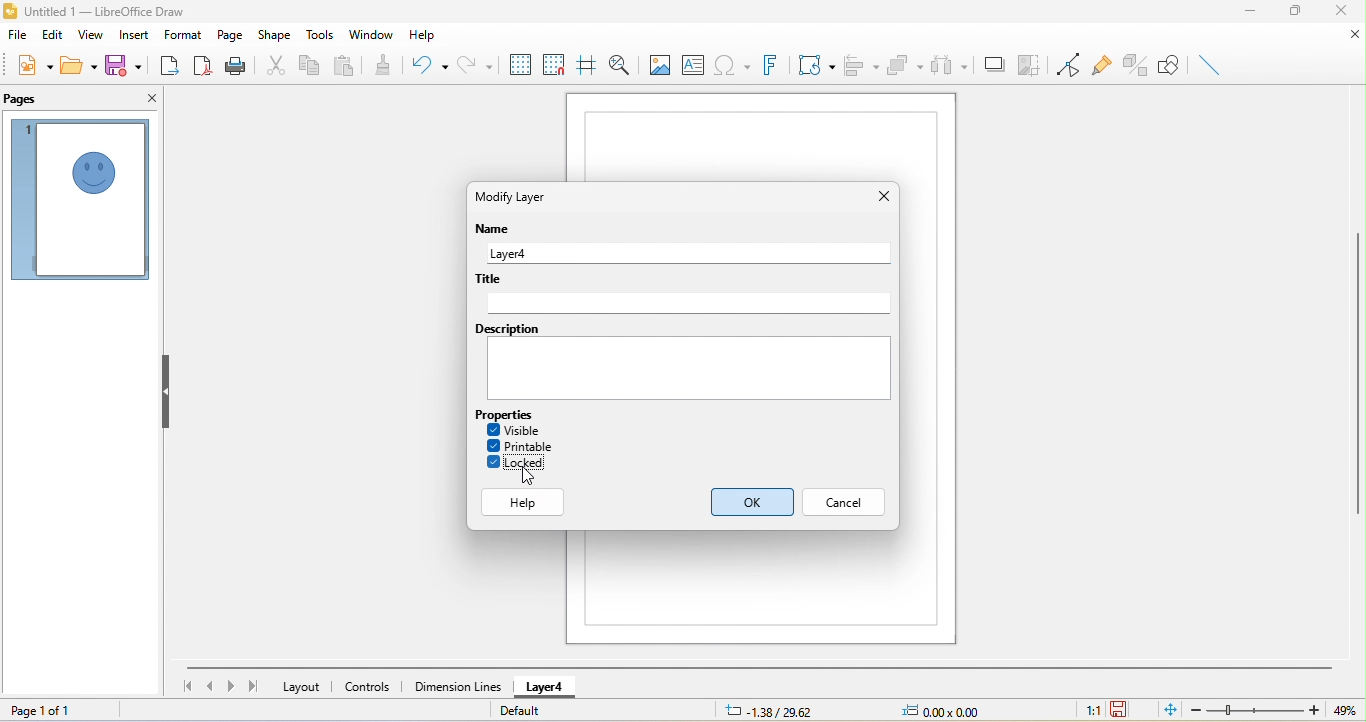 This screenshot has height=722, width=1366. Describe the element at coordinates (551, 687) in the screenshot. I see `layer 4` at that location.